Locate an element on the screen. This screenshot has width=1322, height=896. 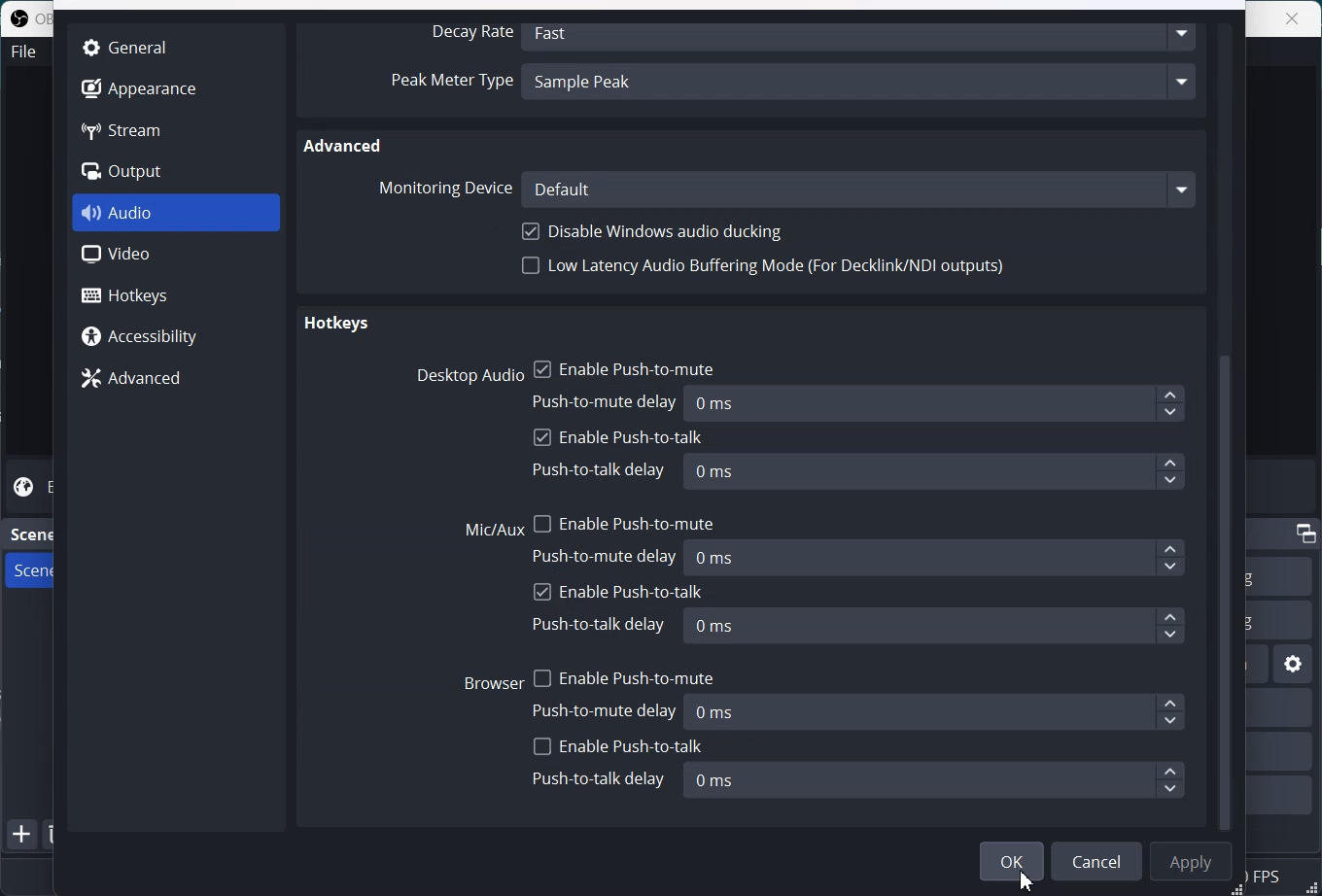
OK is located at coordinates (1012, 861).